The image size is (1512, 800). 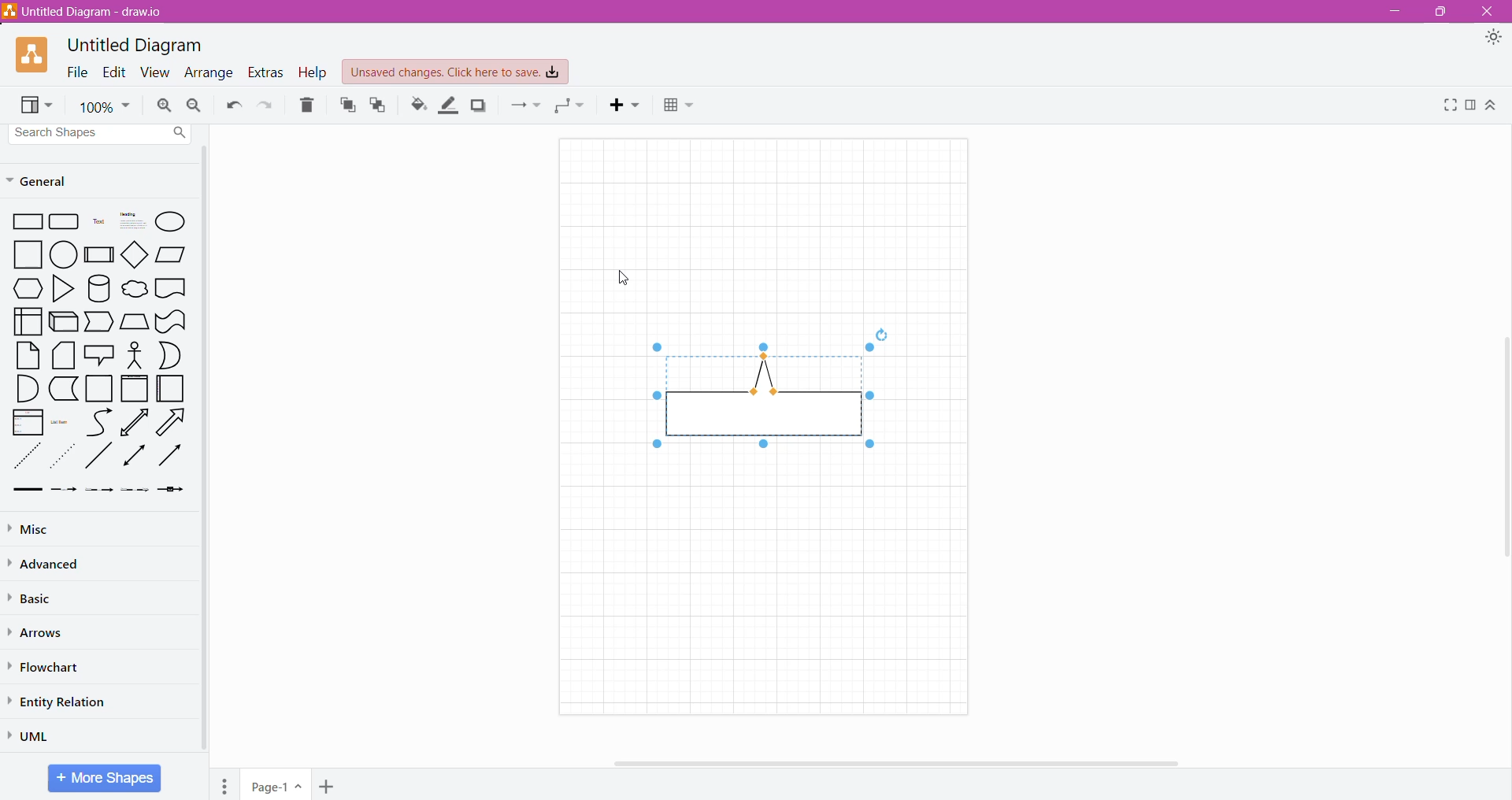 I want to click on Quarter Circle , so click(x=26, y=388).